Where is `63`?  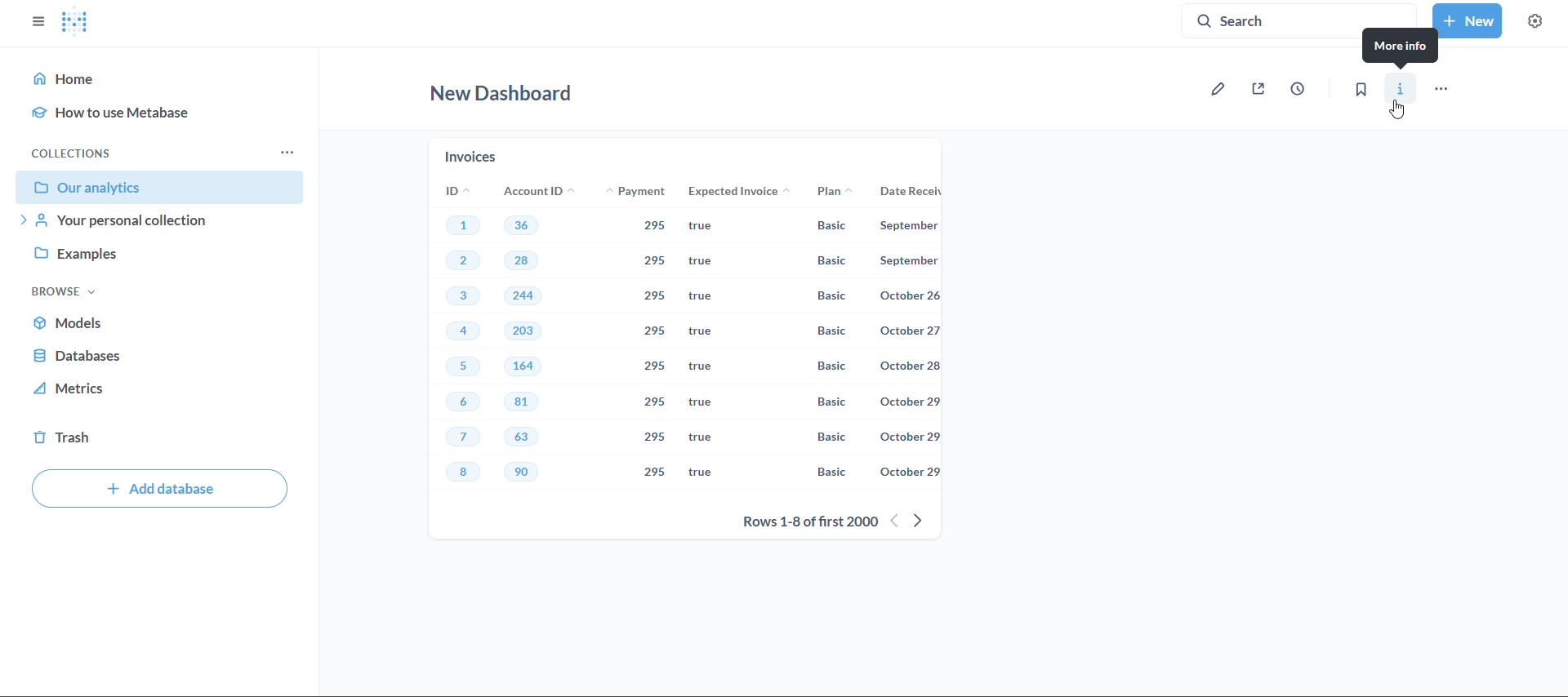 63 is located at coordinates (526, 437).